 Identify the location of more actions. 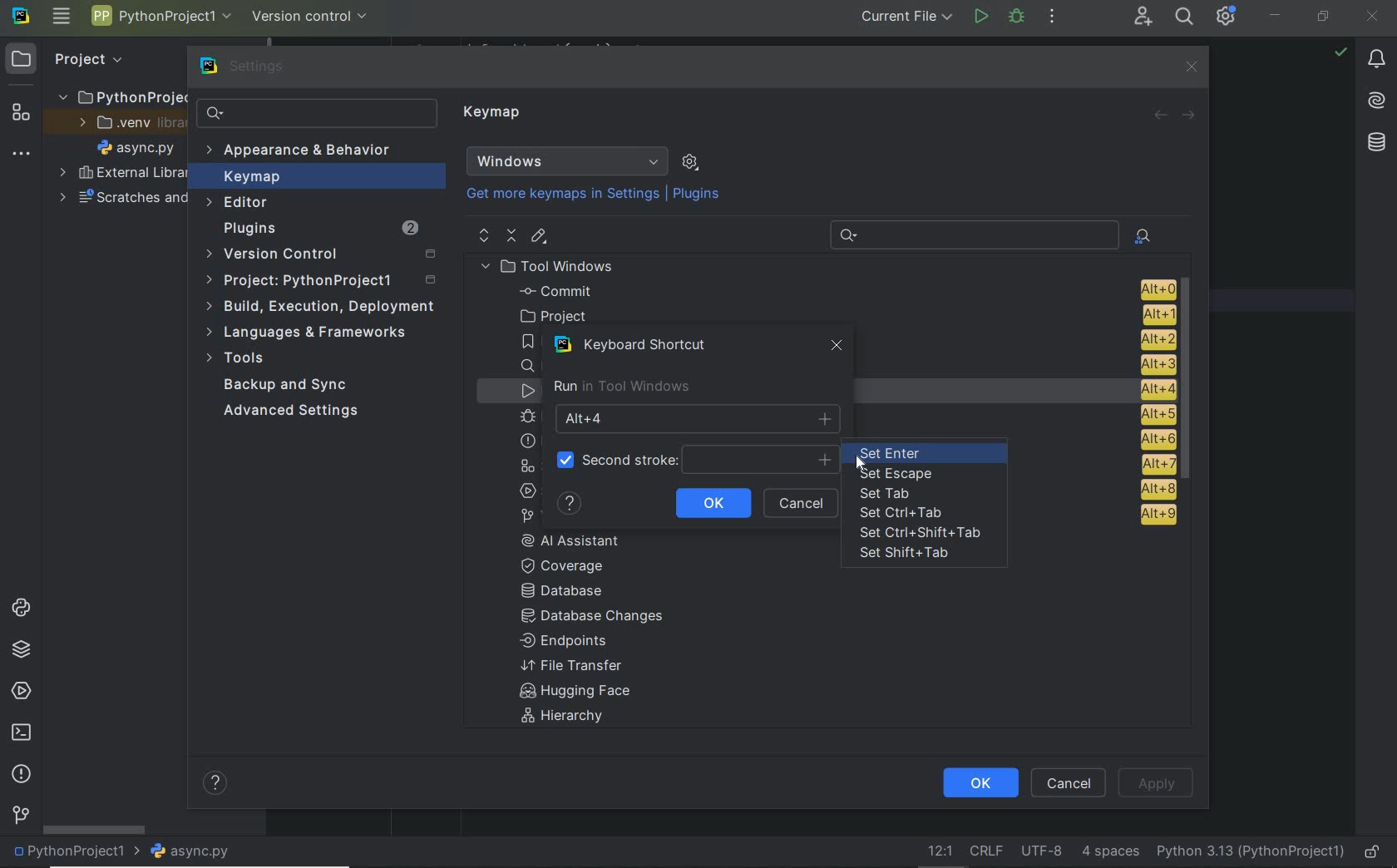
(1052, 17).